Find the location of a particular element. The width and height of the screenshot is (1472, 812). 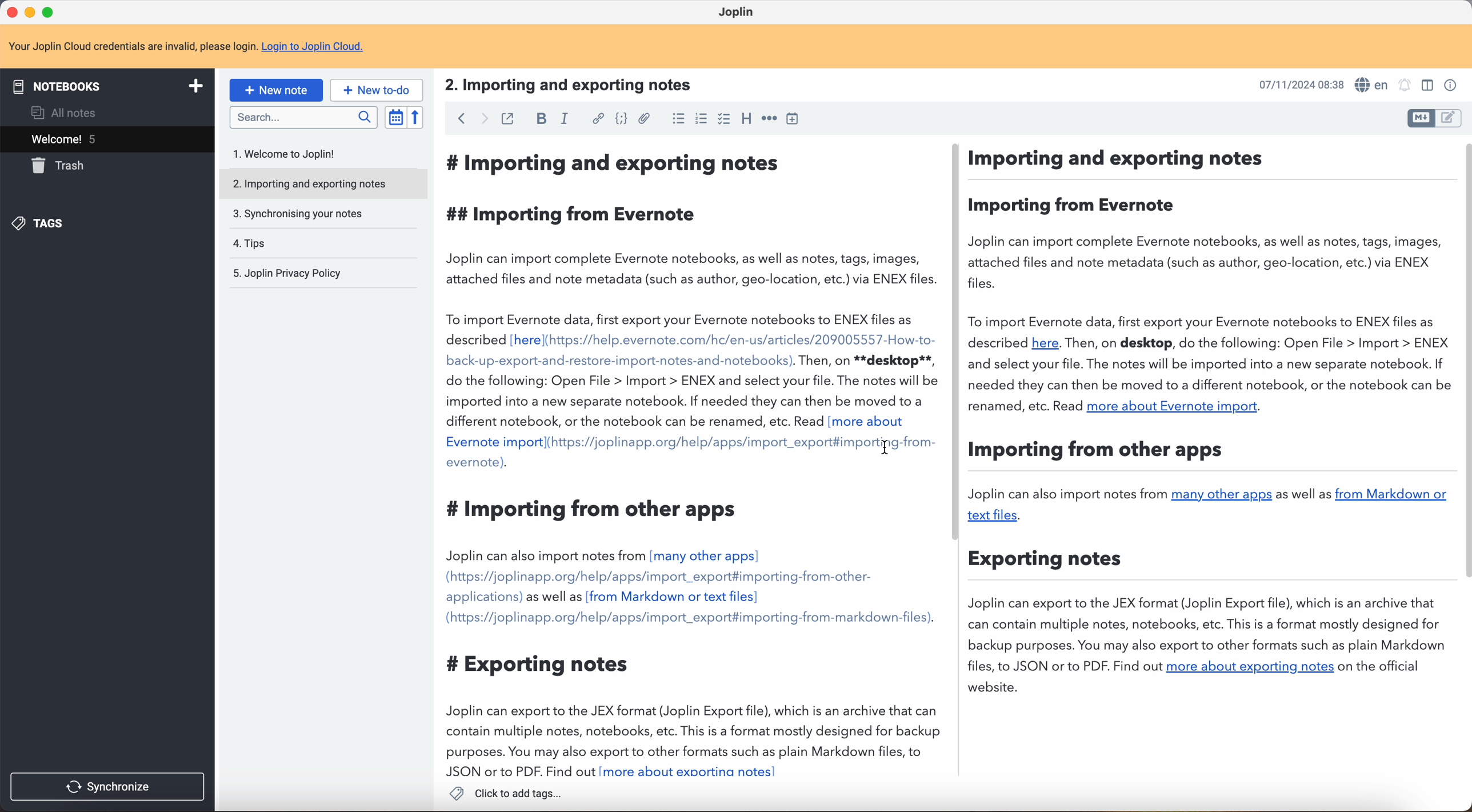

checkbox is located at coordinates (724, 118).